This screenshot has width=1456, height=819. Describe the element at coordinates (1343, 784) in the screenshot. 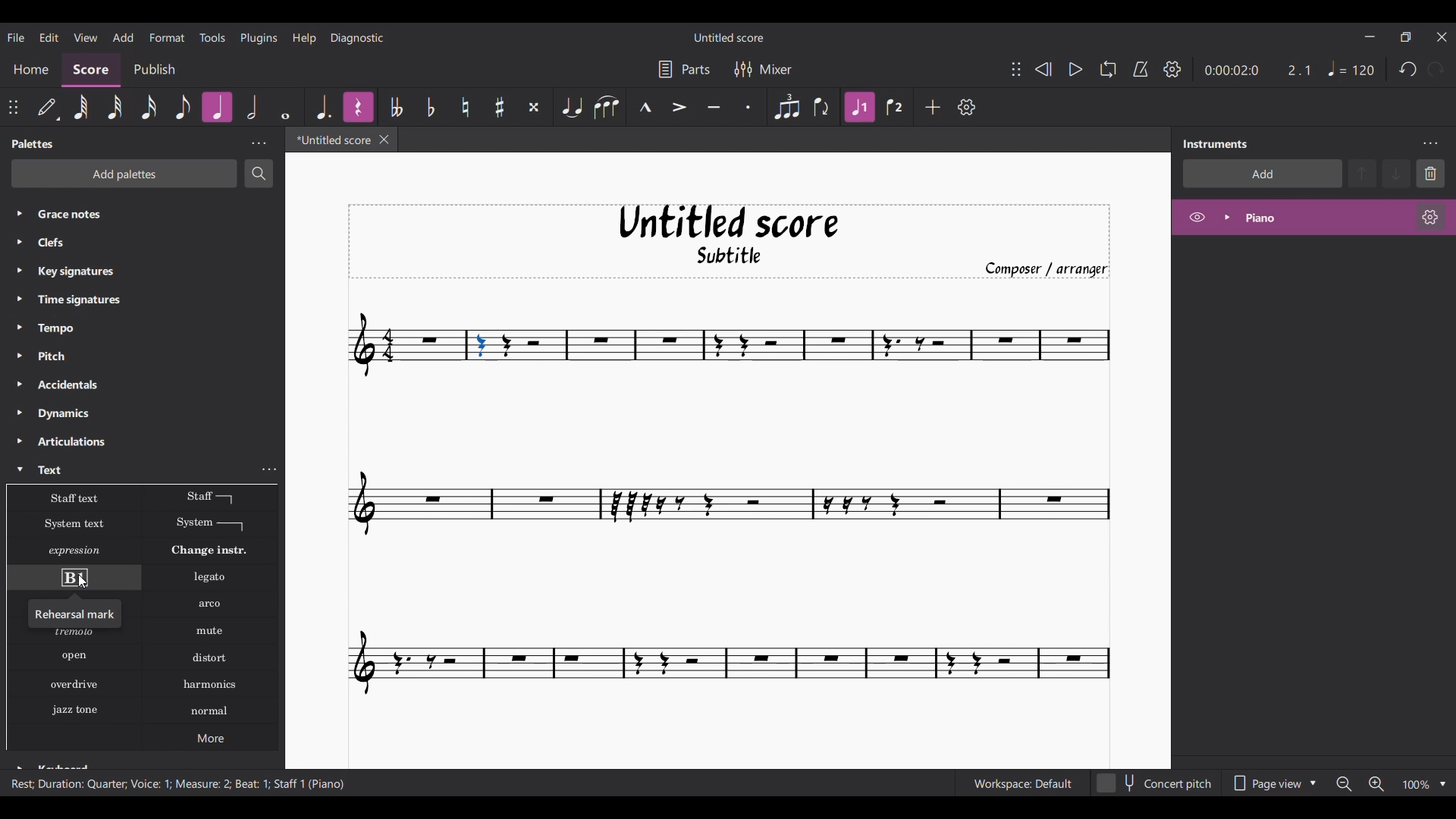

I see `Zoom out` at that location.